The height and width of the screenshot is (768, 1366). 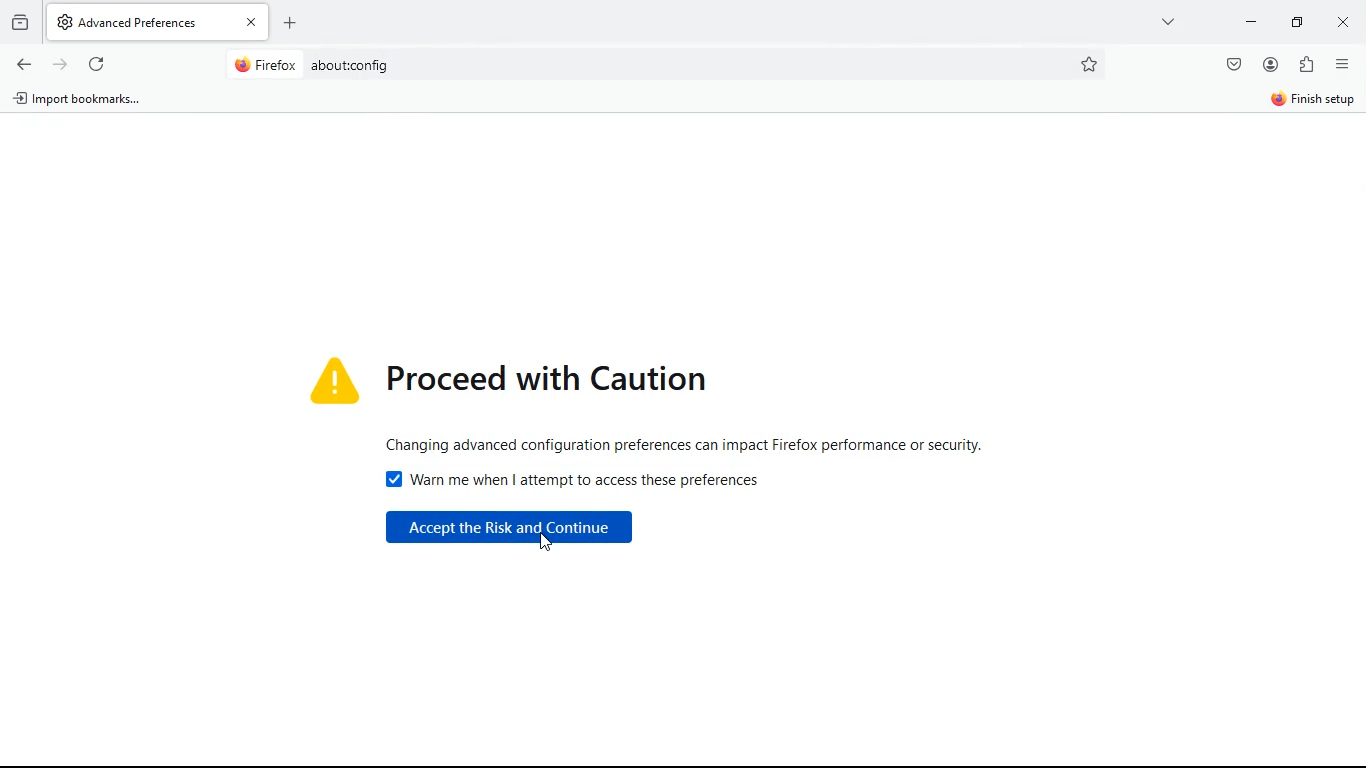 I want to click on Search bar, so click(x=658, y=65).